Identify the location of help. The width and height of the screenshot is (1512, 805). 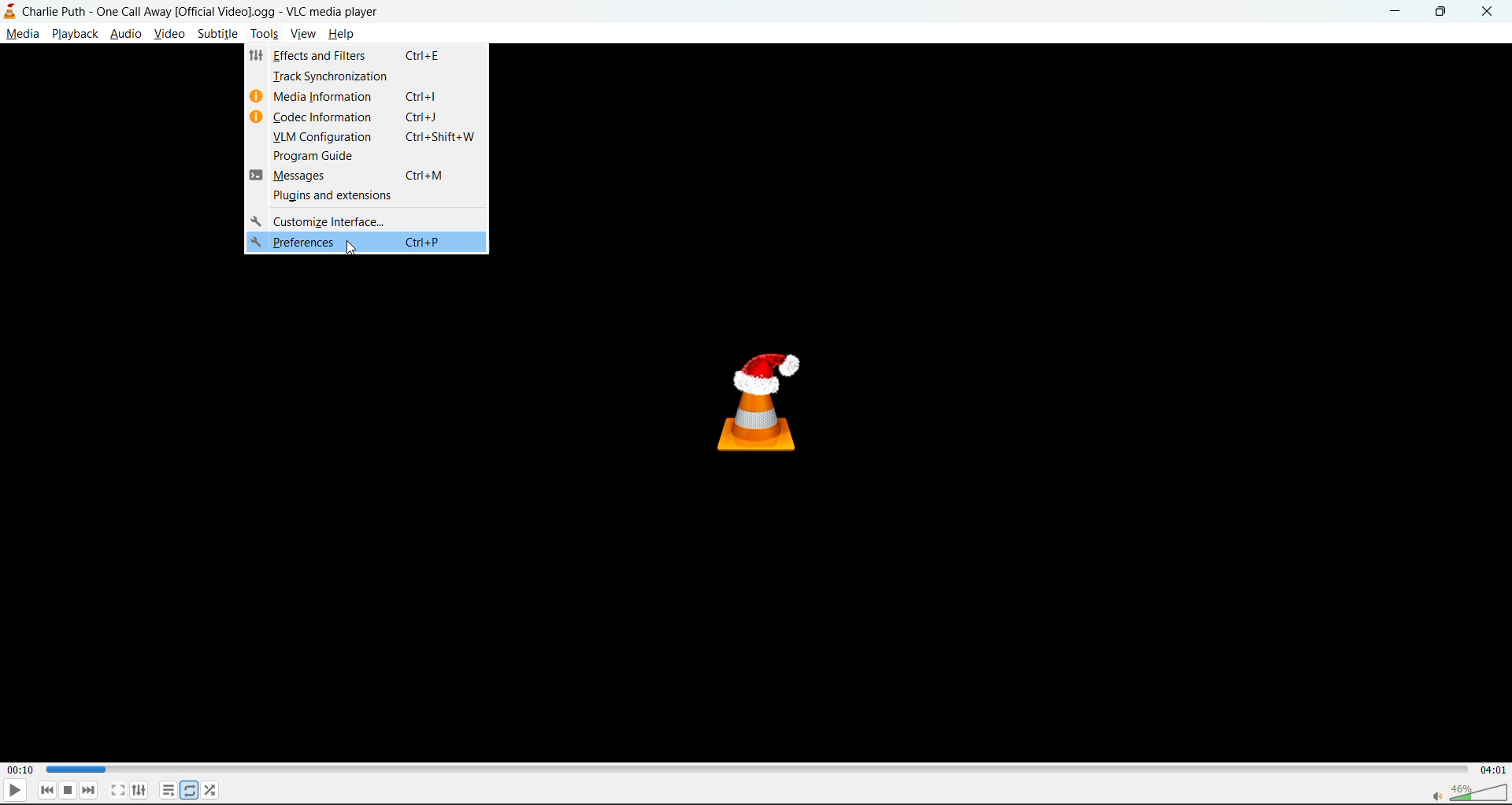
(345, 35).